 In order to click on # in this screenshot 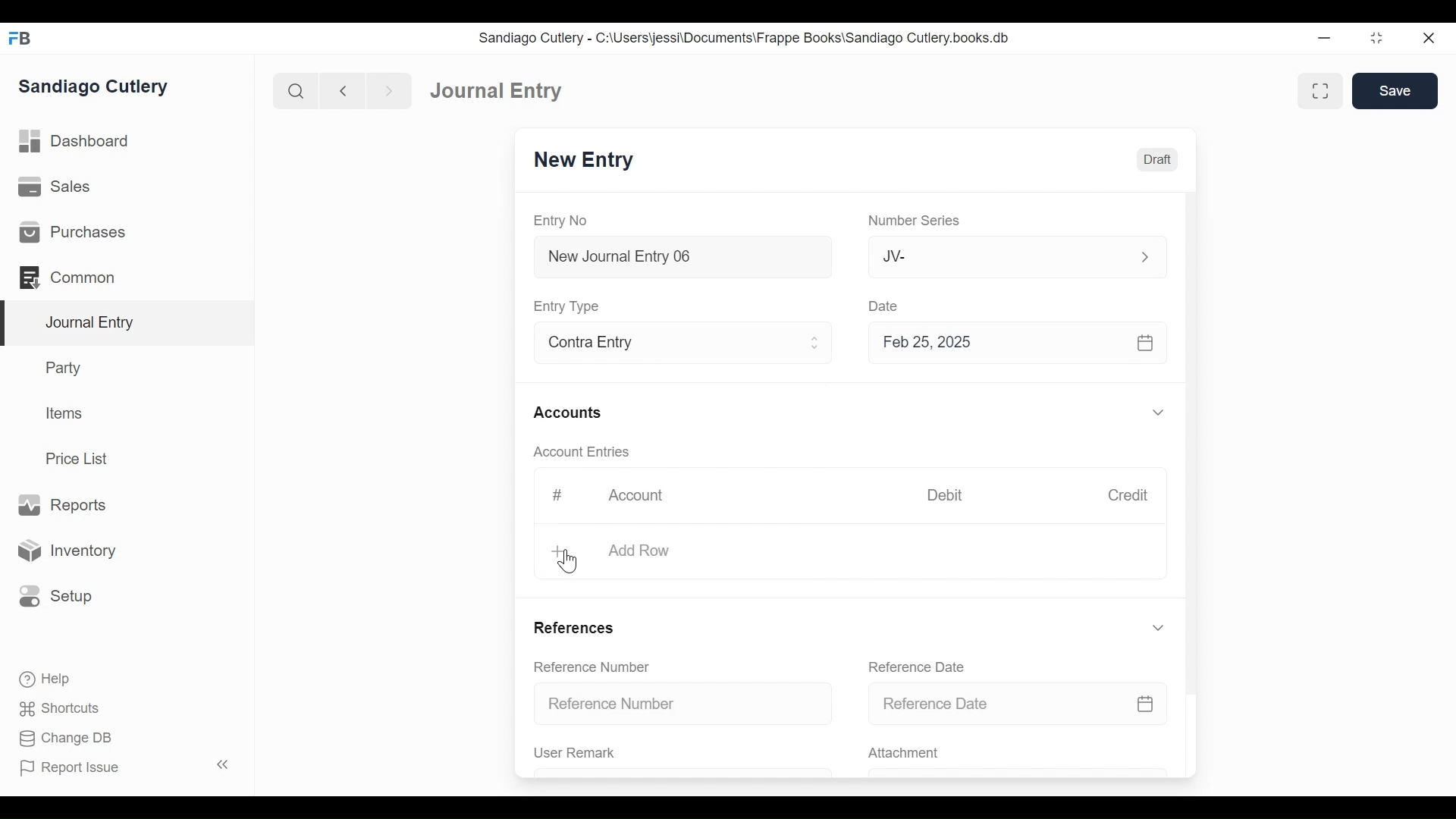, I will do `click(557, 495)`.